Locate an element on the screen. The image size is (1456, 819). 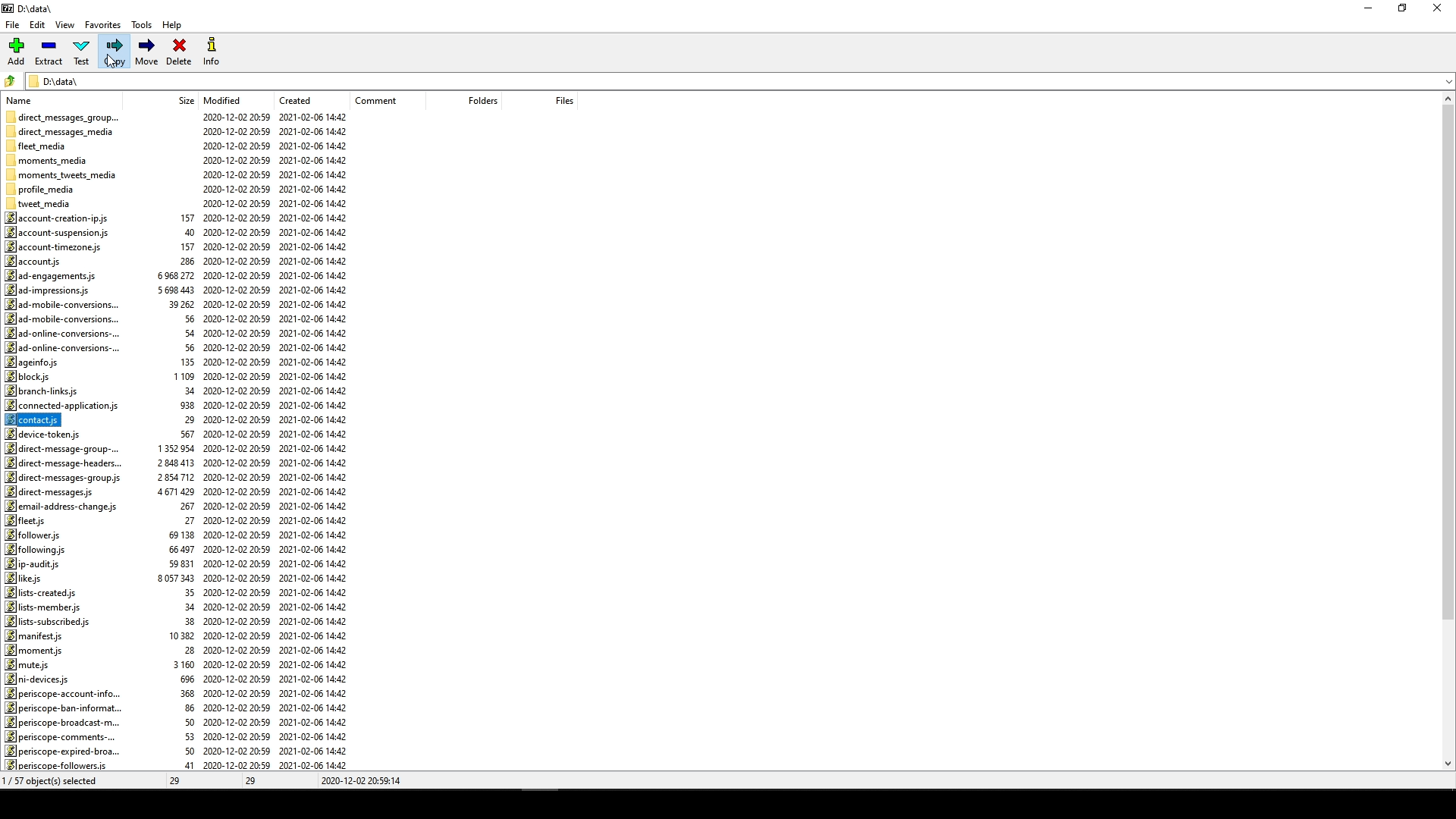
Delete is located at coordinates (178, 54).